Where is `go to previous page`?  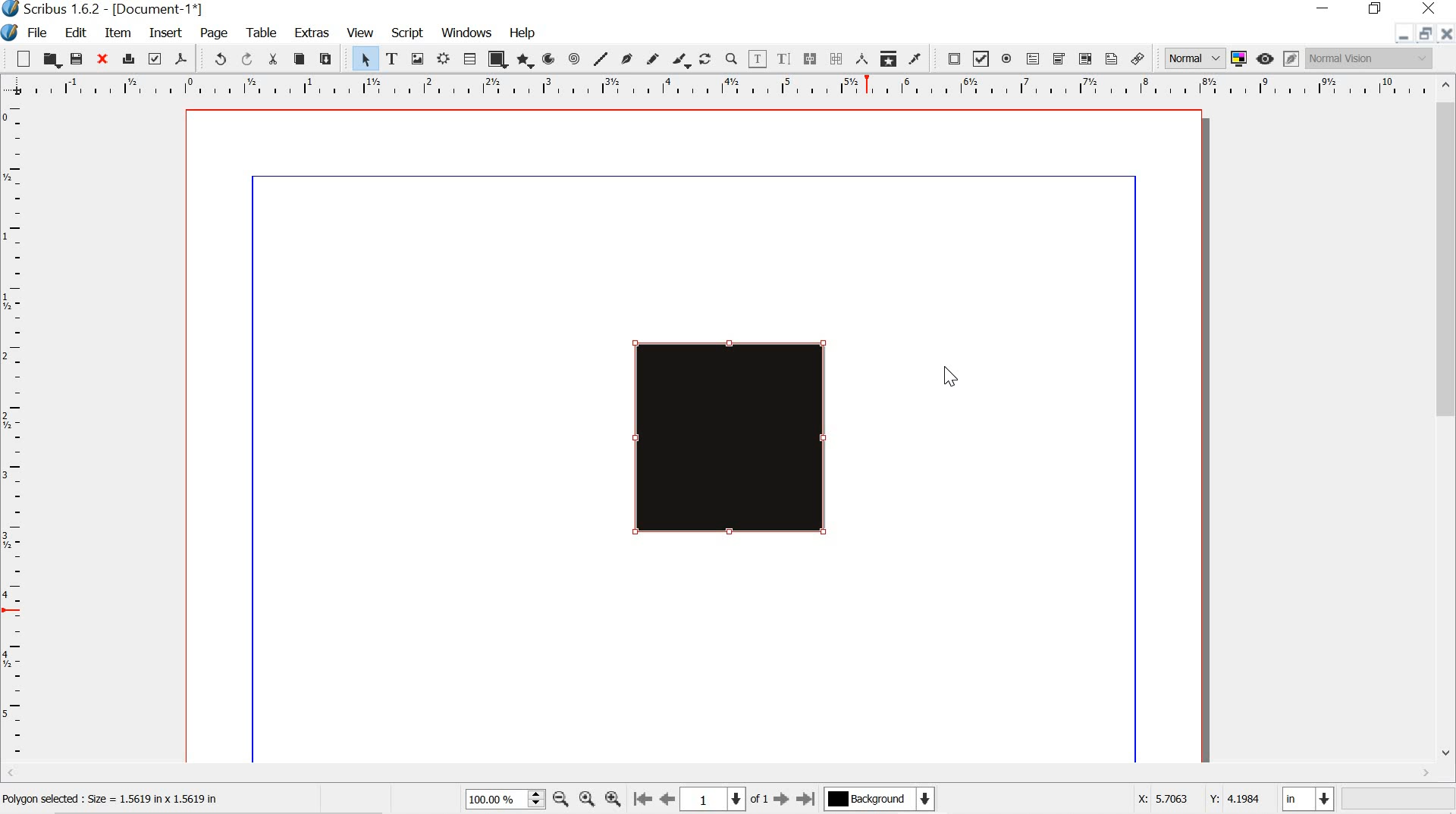 go to previous page is located at coordinates (669, 800).